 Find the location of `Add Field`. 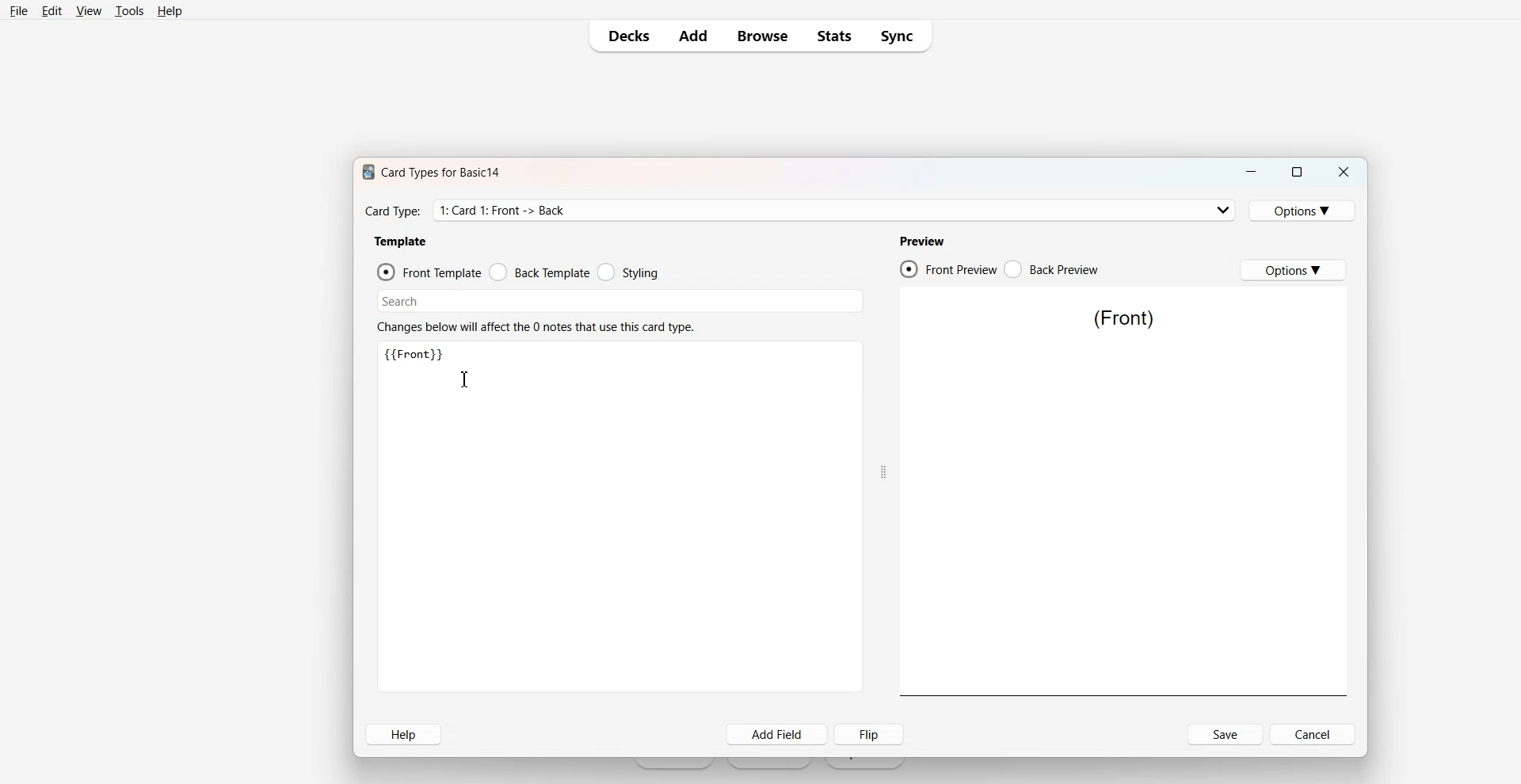

Add Field is located at coordinates (778, 735).